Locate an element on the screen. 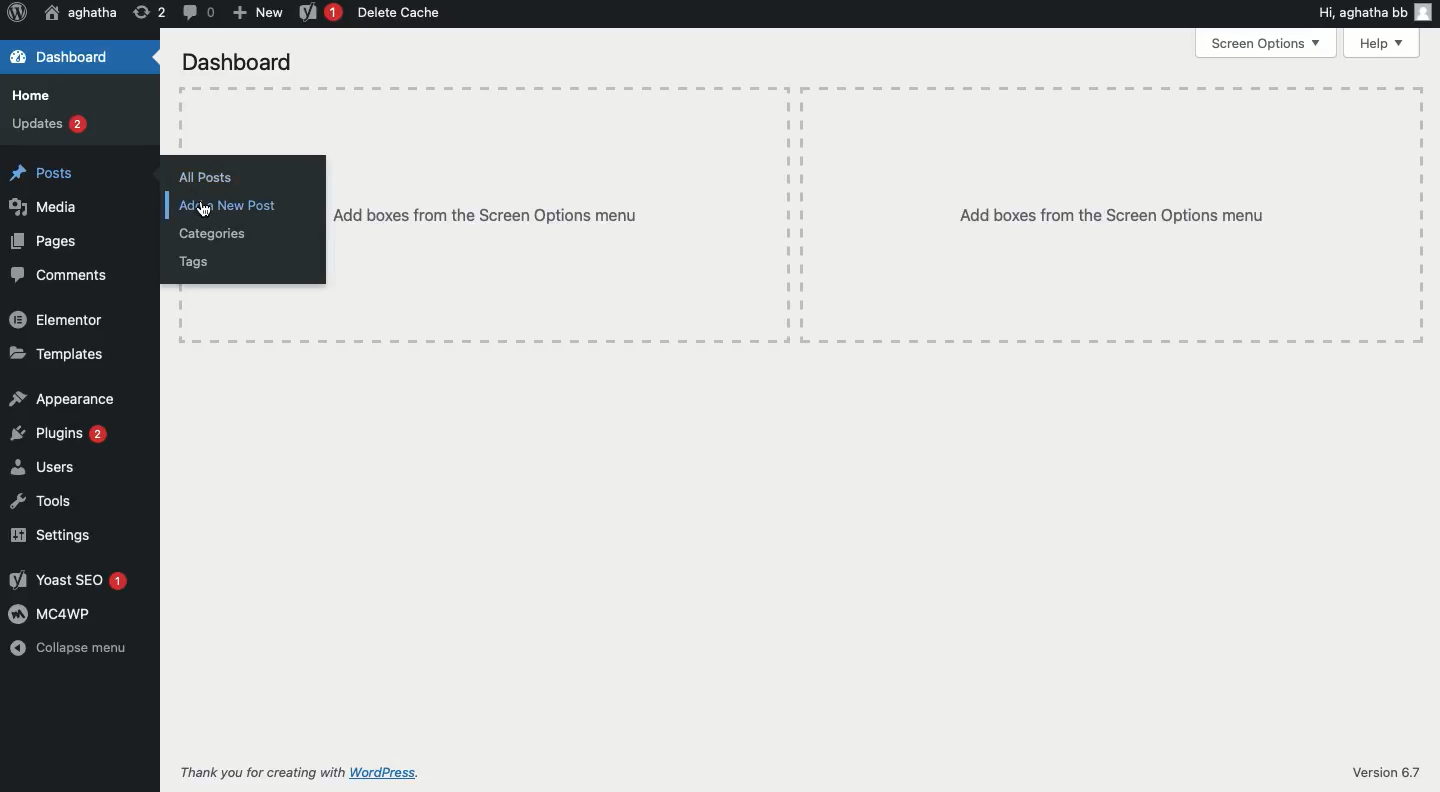 This screenshot has height=792, width=1440. Table line is located at coordinates (802, 342).